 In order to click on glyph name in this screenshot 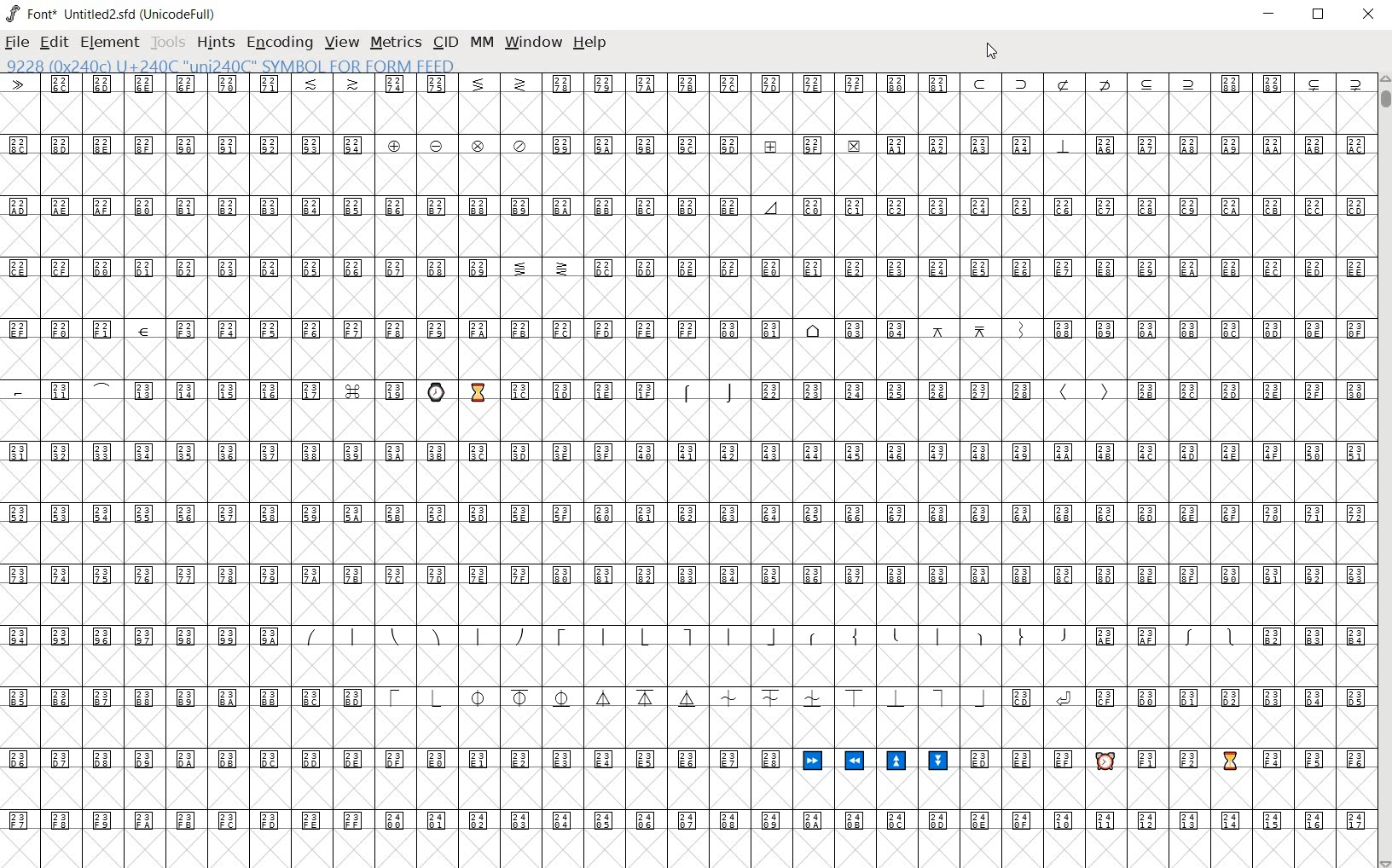, I will do `click(230, 65)`.